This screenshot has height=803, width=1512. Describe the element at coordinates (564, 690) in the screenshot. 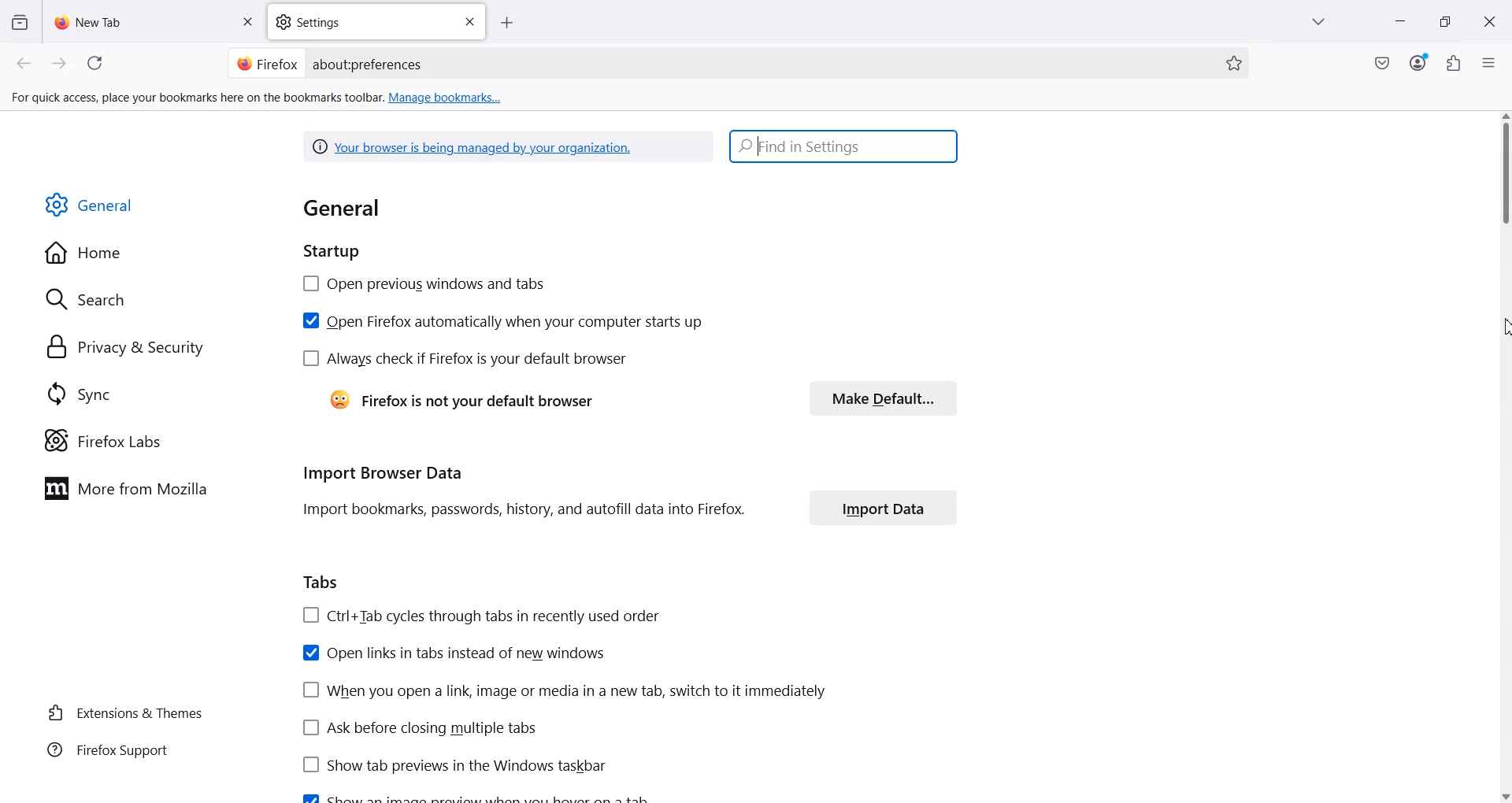

I see `[J When you open a link, image or media in a new tab, switch to it immediately` at that location.